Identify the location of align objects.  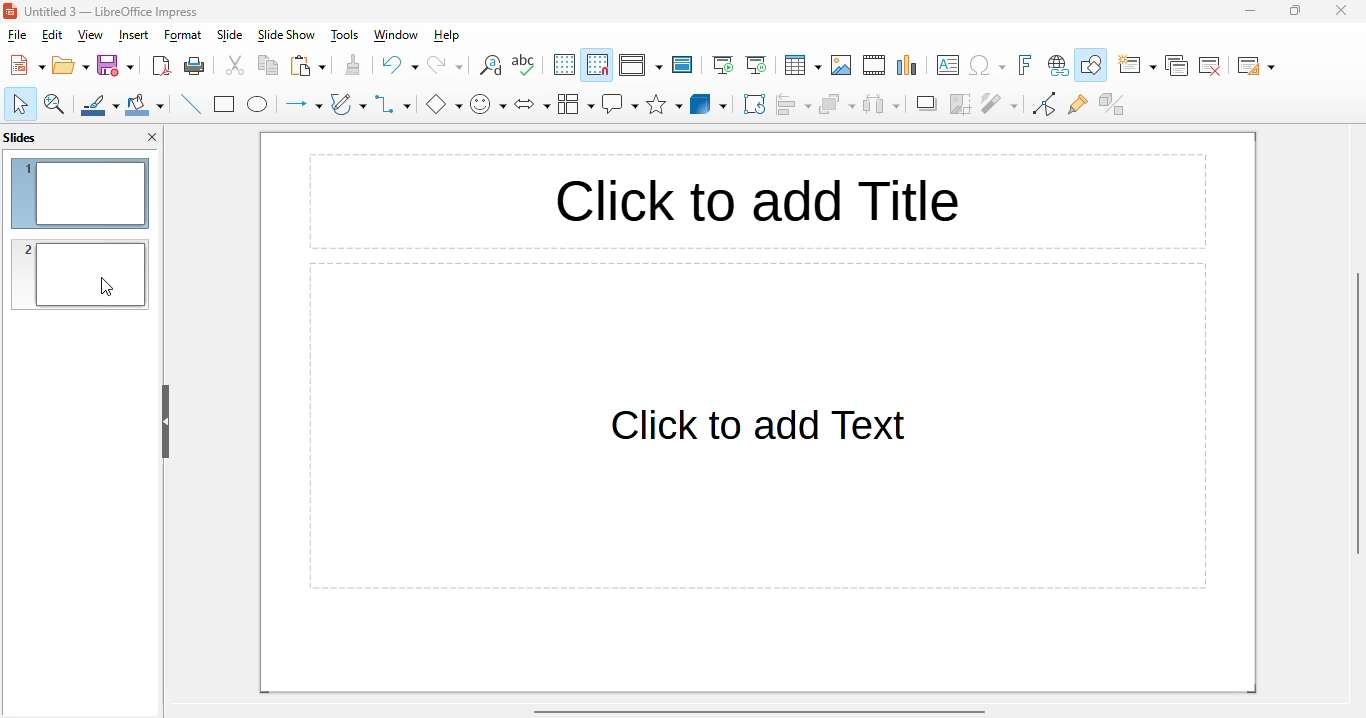
(794, 104).